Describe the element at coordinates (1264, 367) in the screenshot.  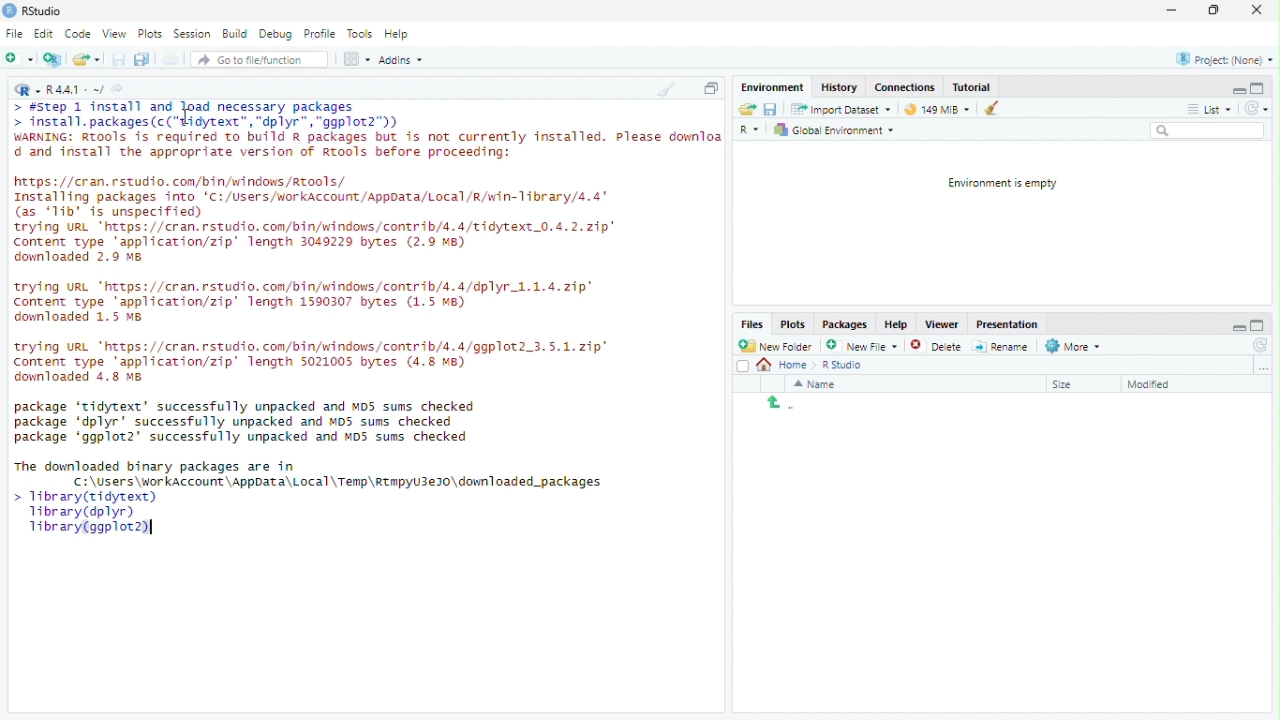
I see `Browse` at that location.